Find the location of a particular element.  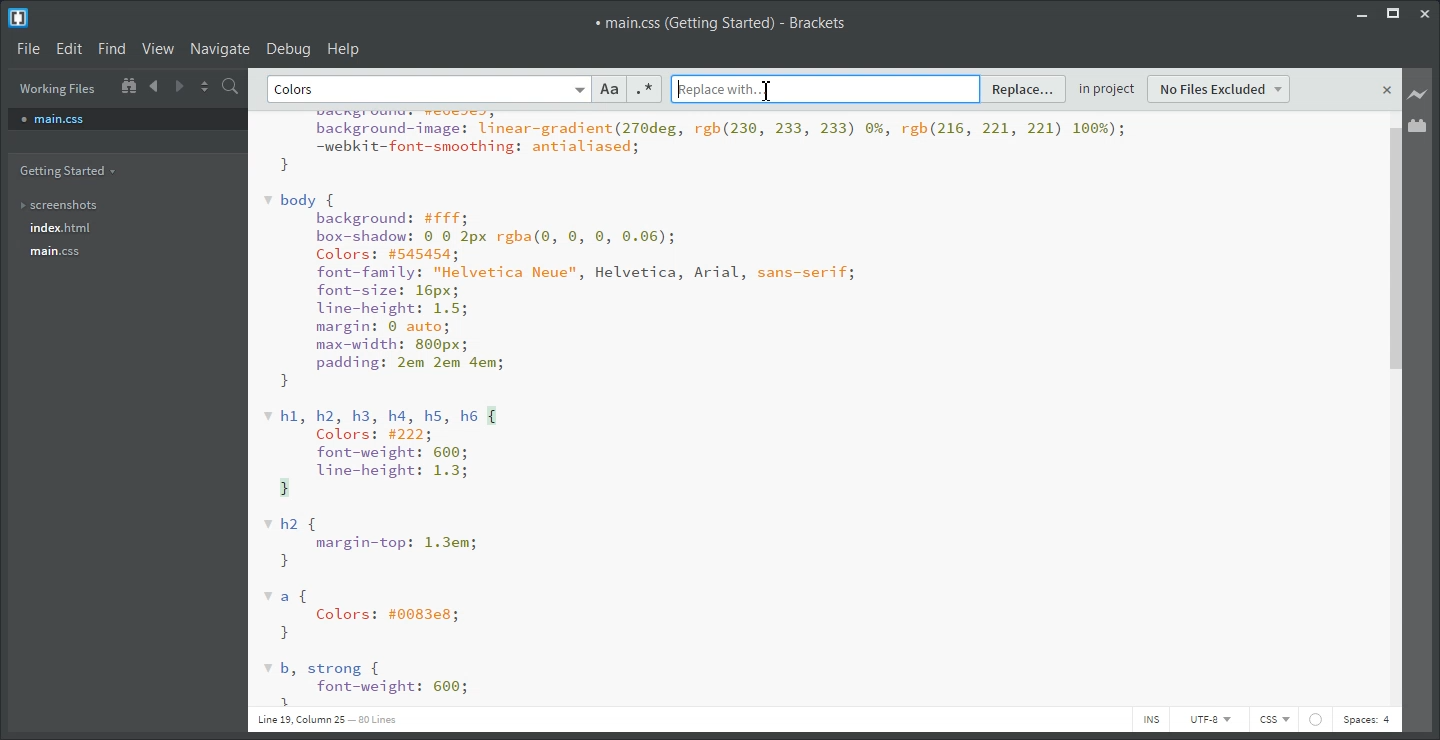

Find is located at coordinates (111, 49).